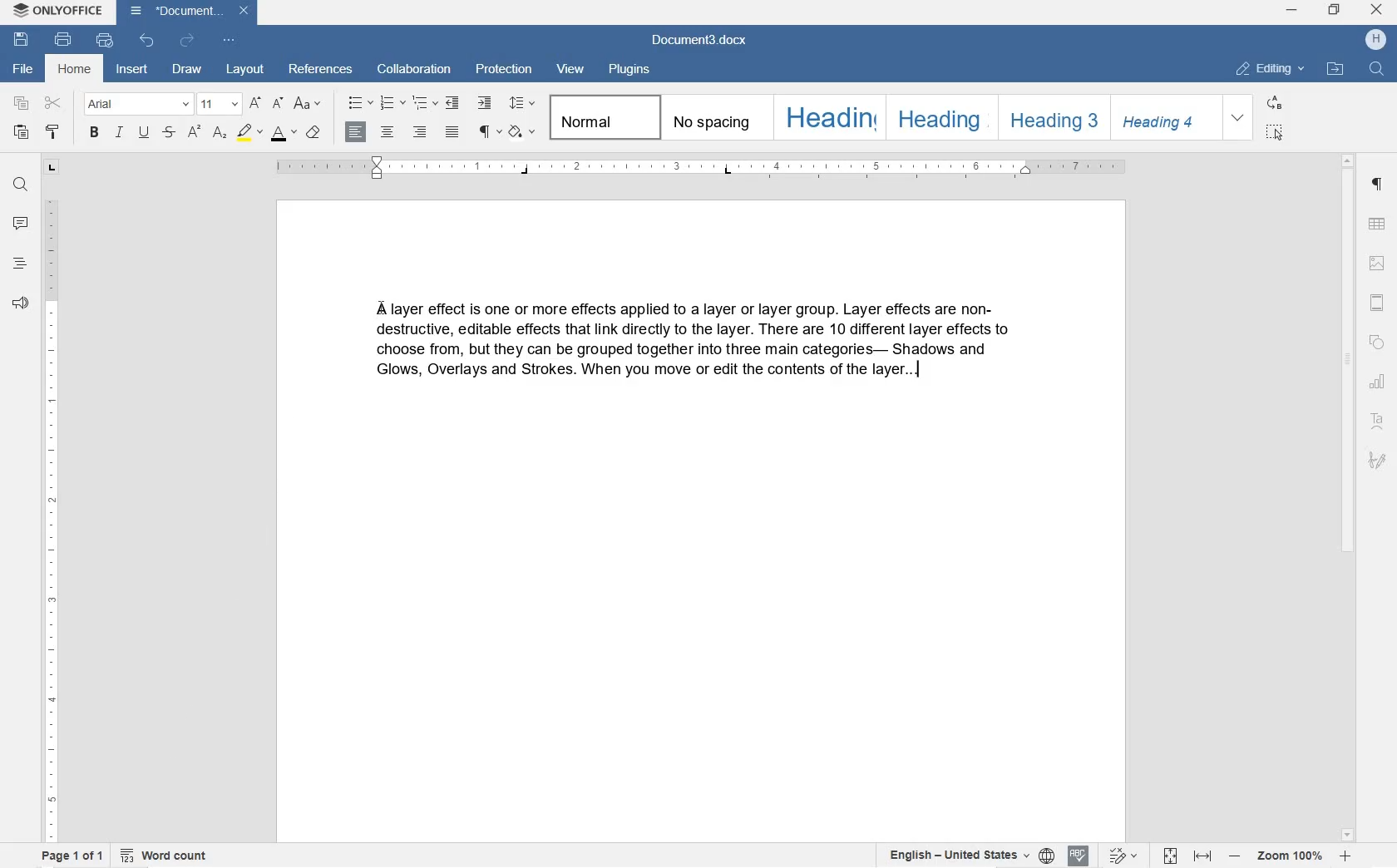 This screenshot has height=868, width=1397. What do you see at coordinates (1080, 855) in the screenshot?
I see `SPELL CHECK` at bounding box center [1080, 855].